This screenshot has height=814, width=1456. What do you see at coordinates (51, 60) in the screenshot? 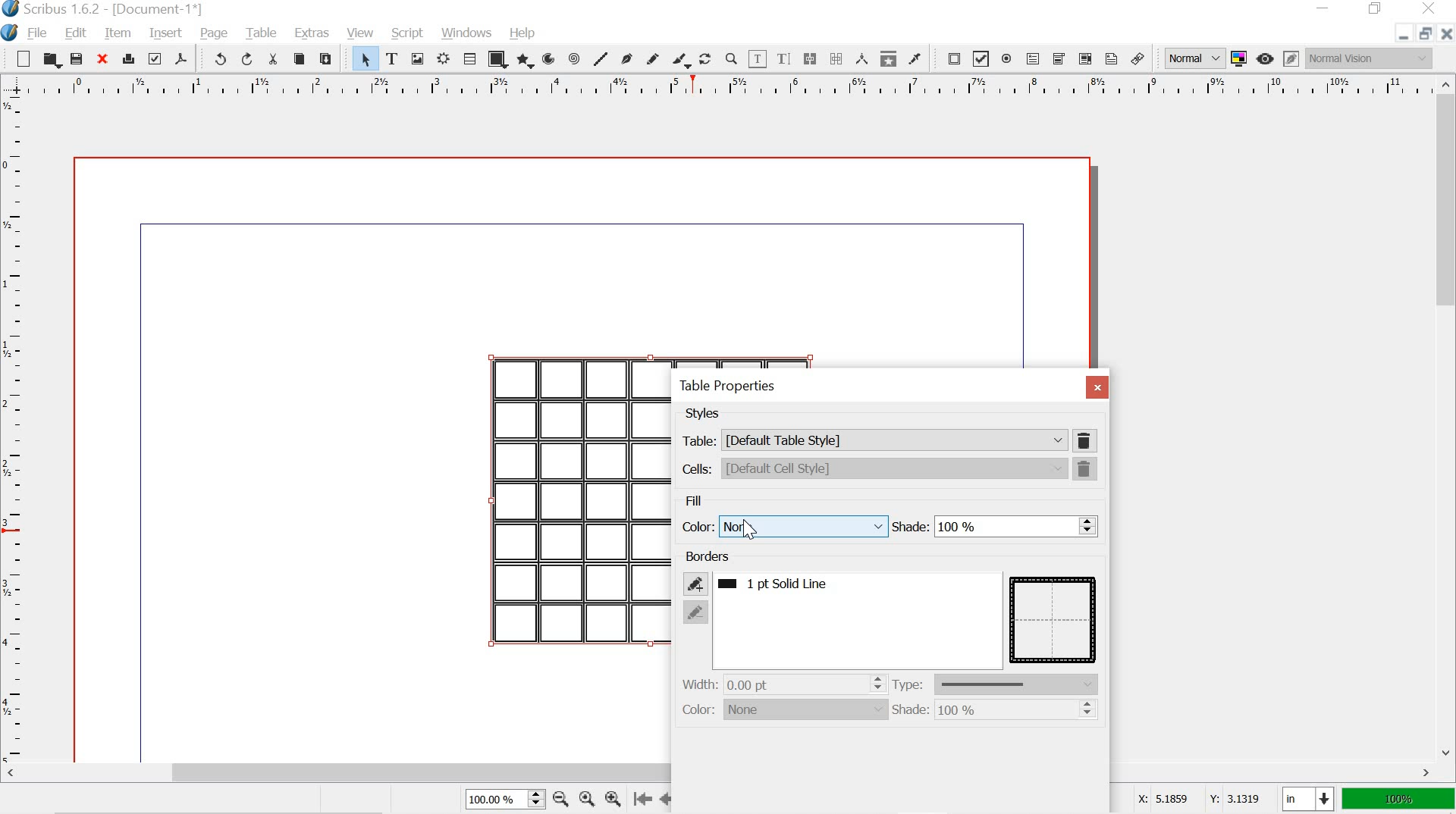
I see `open` at bounding box center [51, 60].